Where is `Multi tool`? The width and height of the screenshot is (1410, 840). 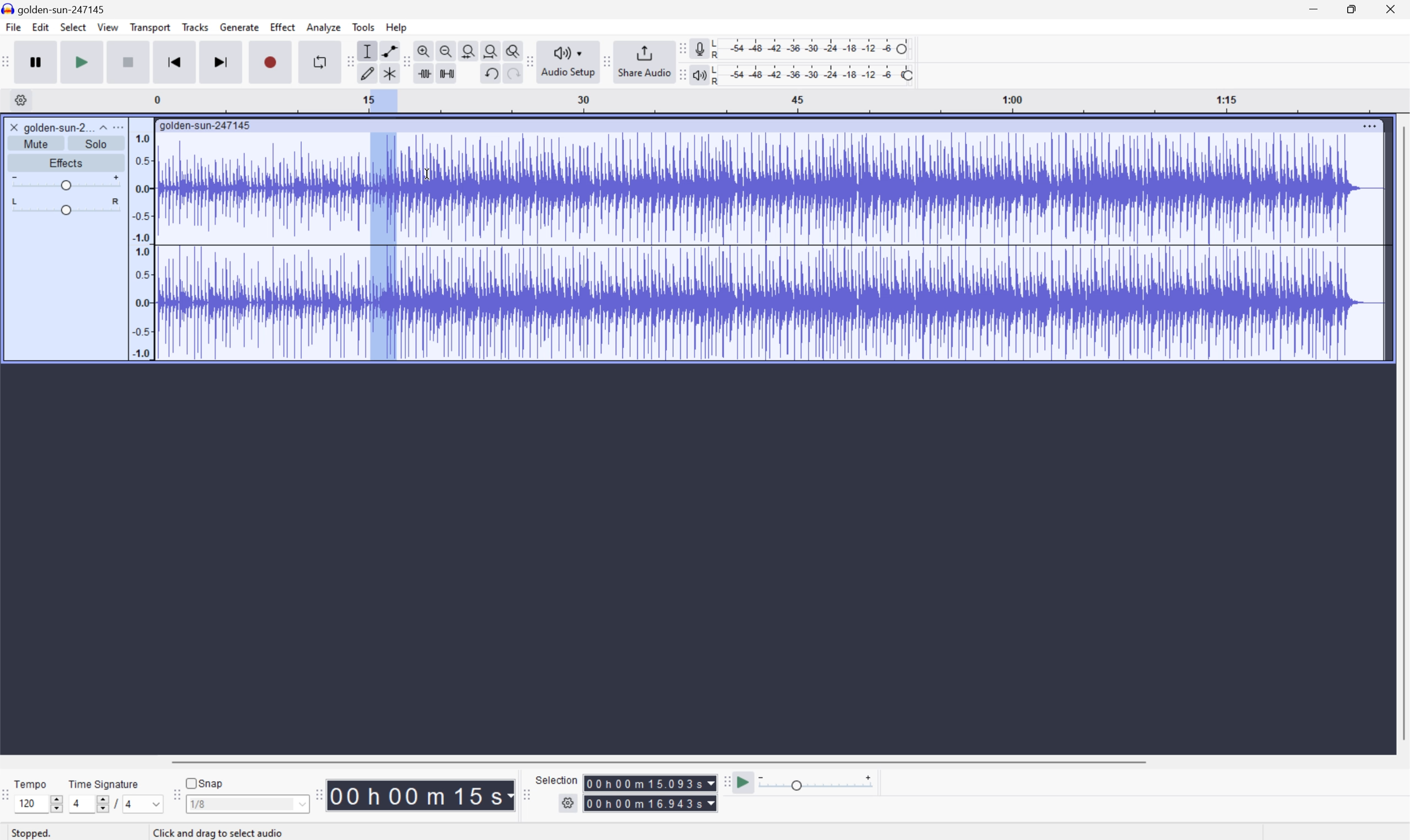
Multi tool is located at coordinates (391, 72).